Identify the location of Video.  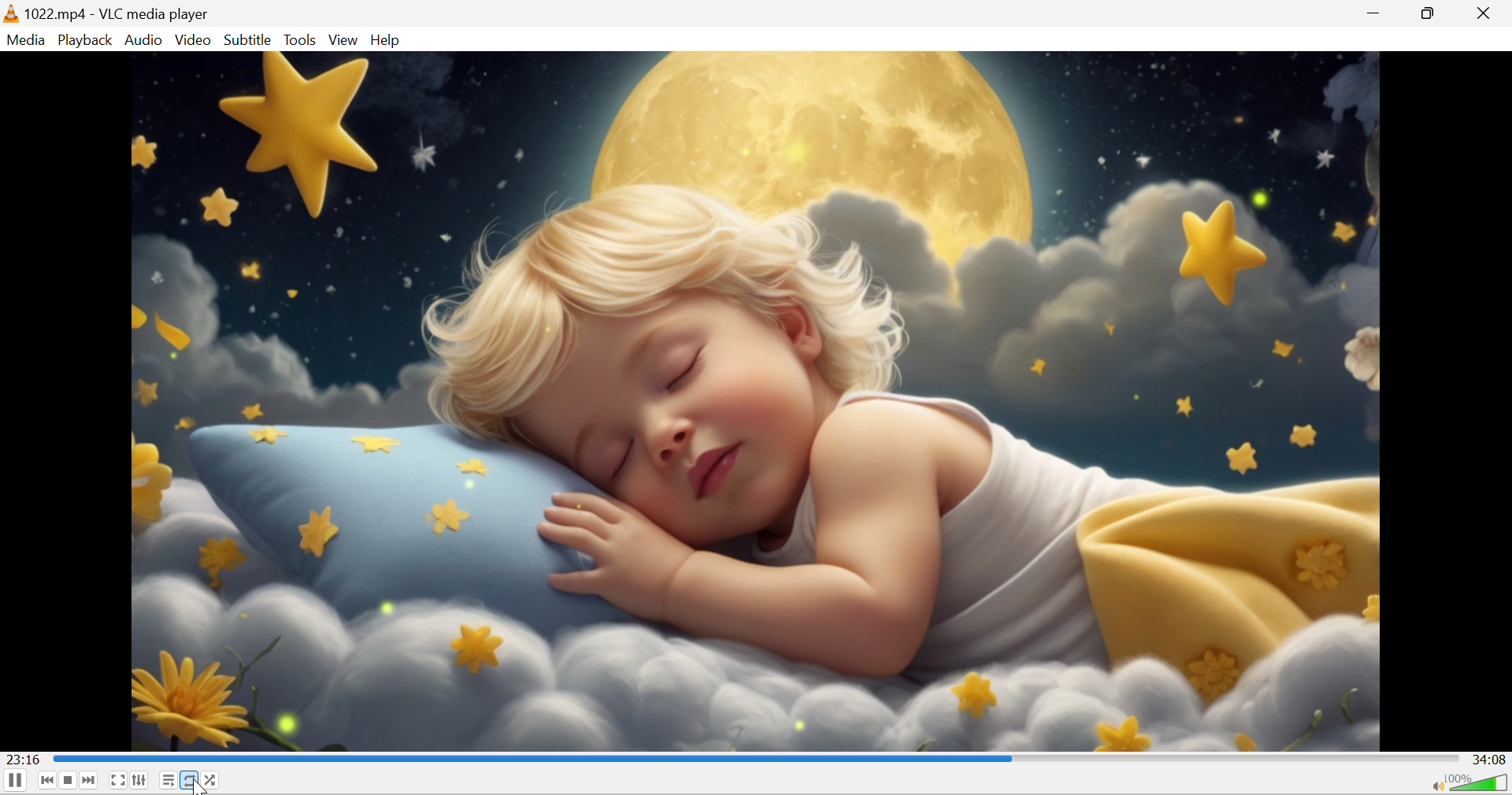
(194, 39).